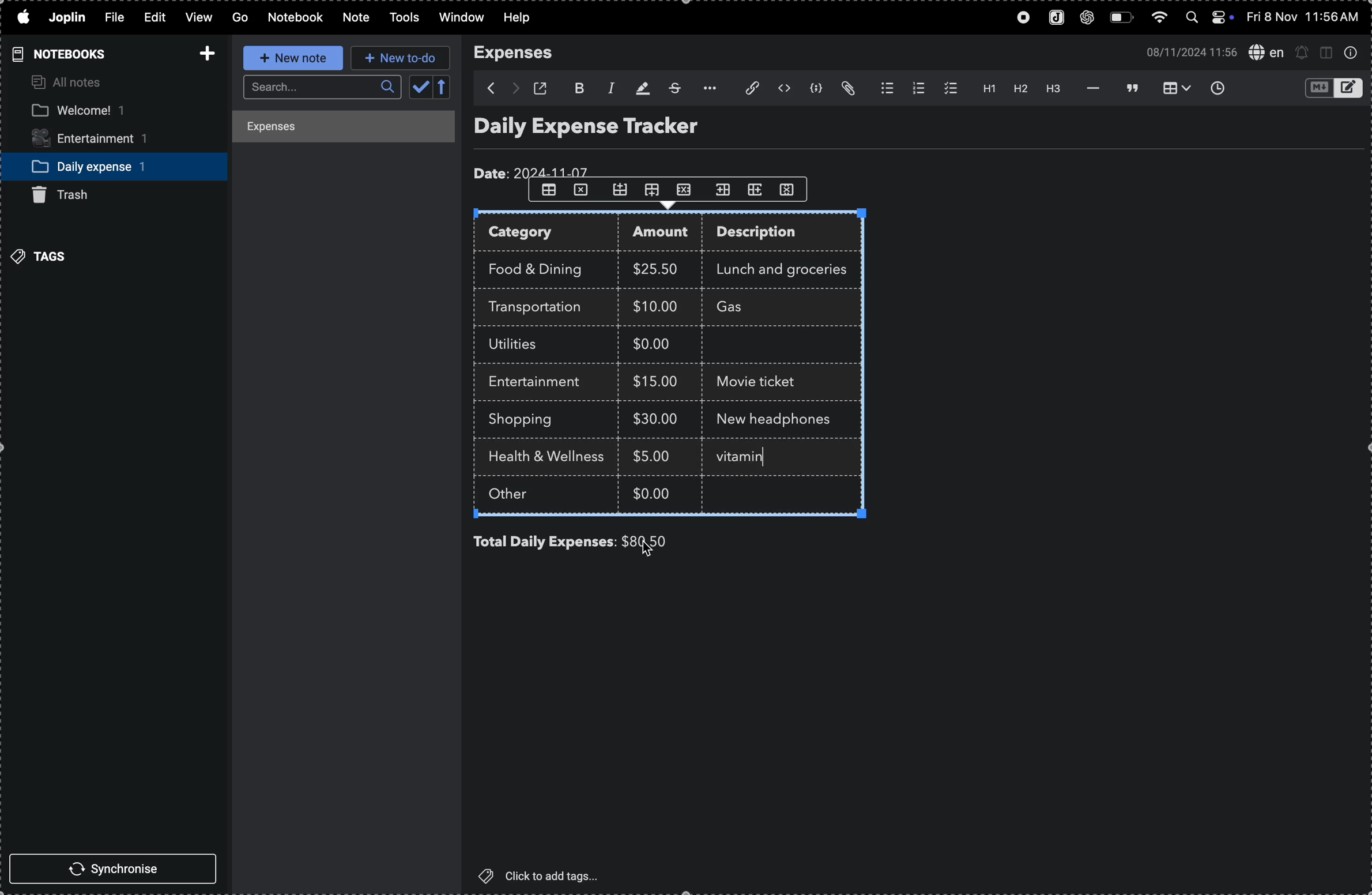 This screenshot has width=1372, height=895. Describe the element at coordinates (548, 234) in the screenshot. I see `category` at that location.